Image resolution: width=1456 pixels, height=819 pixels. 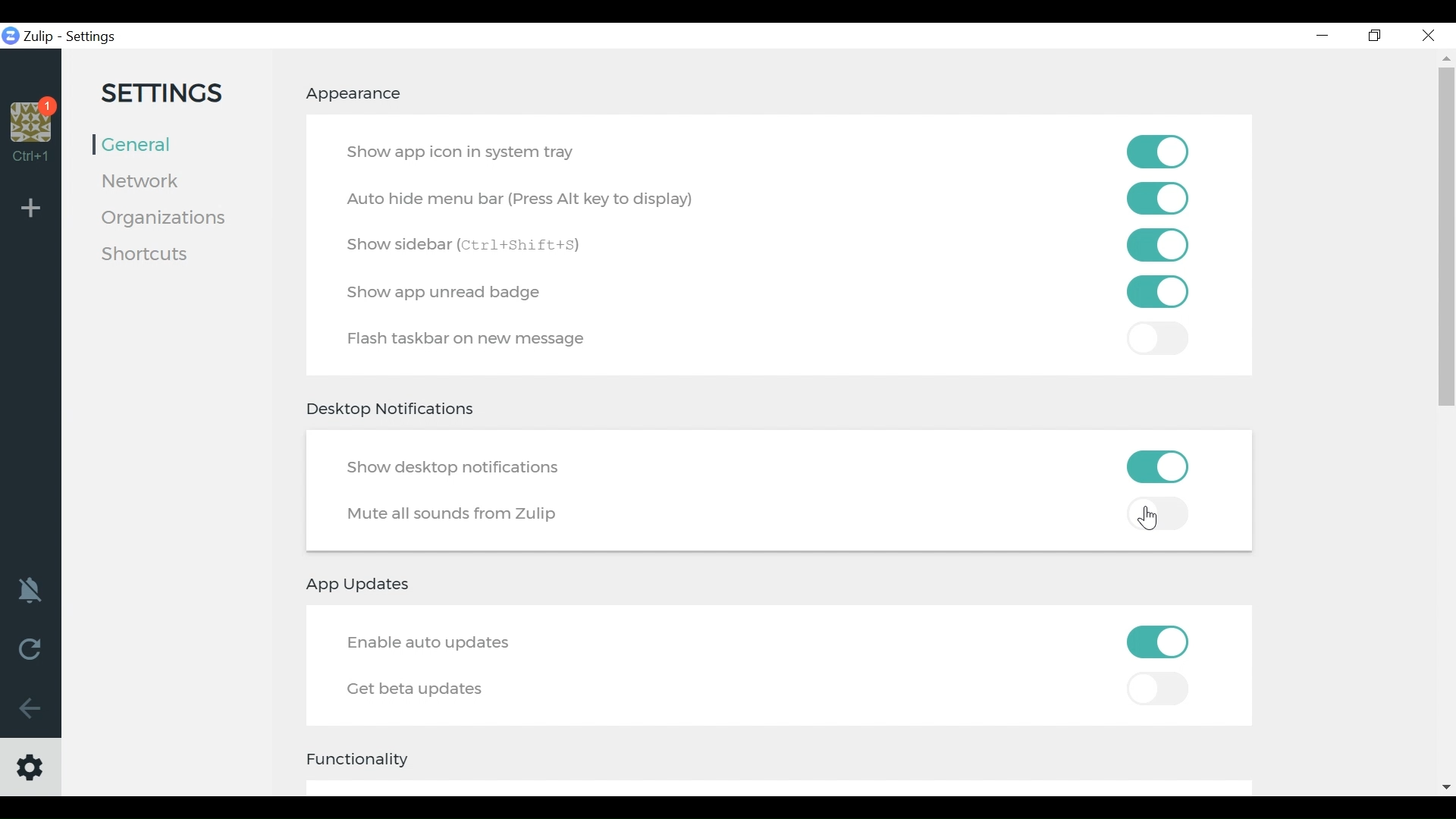 I want to click on Toggle off mute all sounds from zulip, so click(x=1161, y=515).